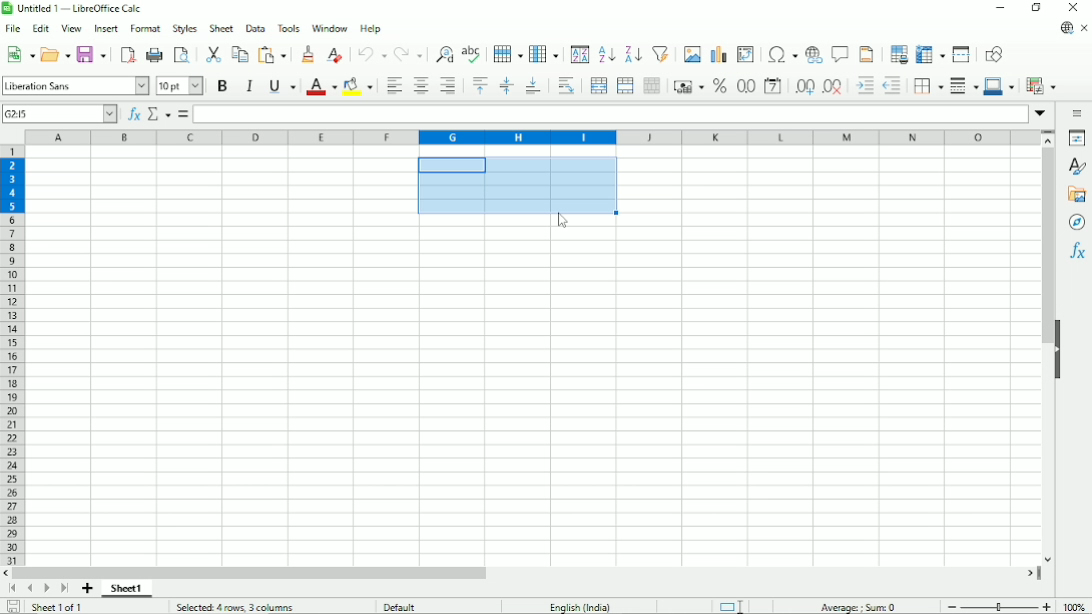 The height and width of the screenshot is (614, 1092). What do you see at coordinates (249, 86) in the screenshot?
I see `Italic` at bounding box center [249, 86].